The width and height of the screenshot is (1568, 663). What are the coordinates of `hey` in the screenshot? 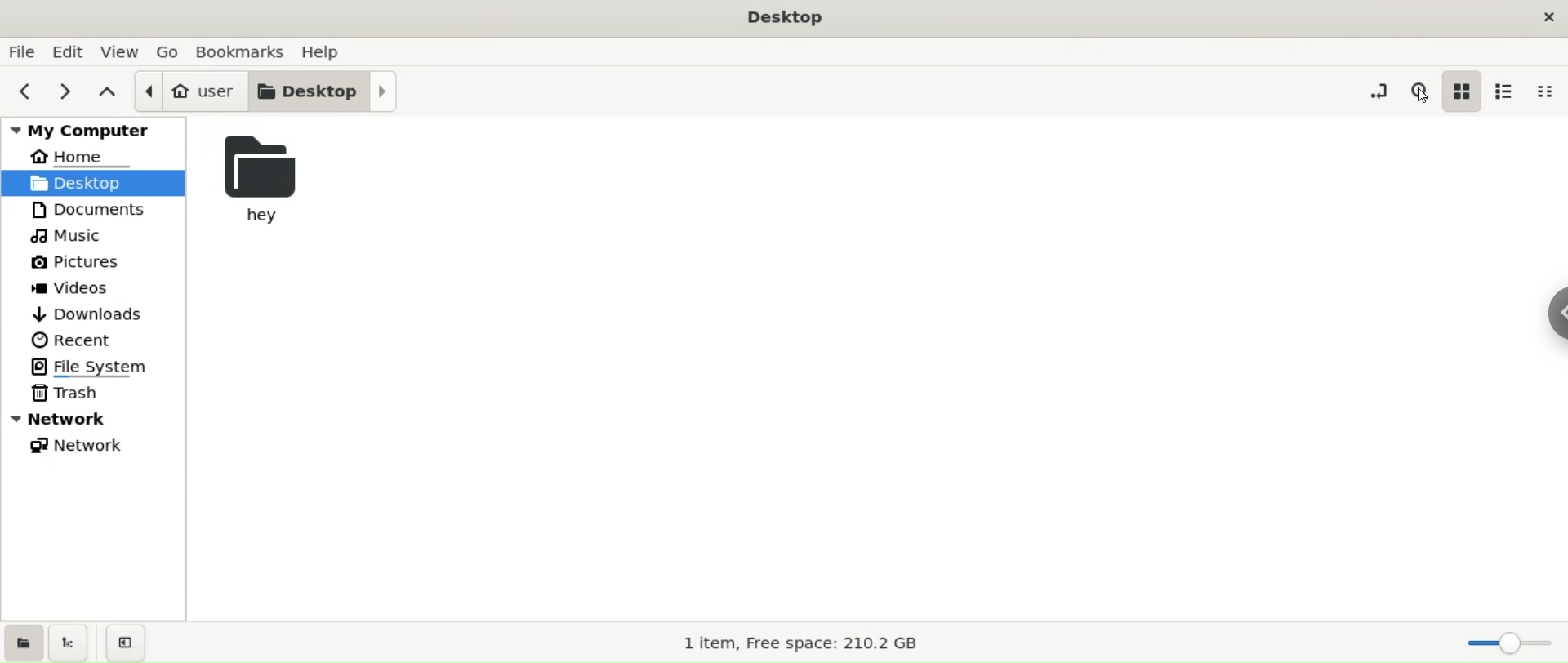 It's located at (256, 179).